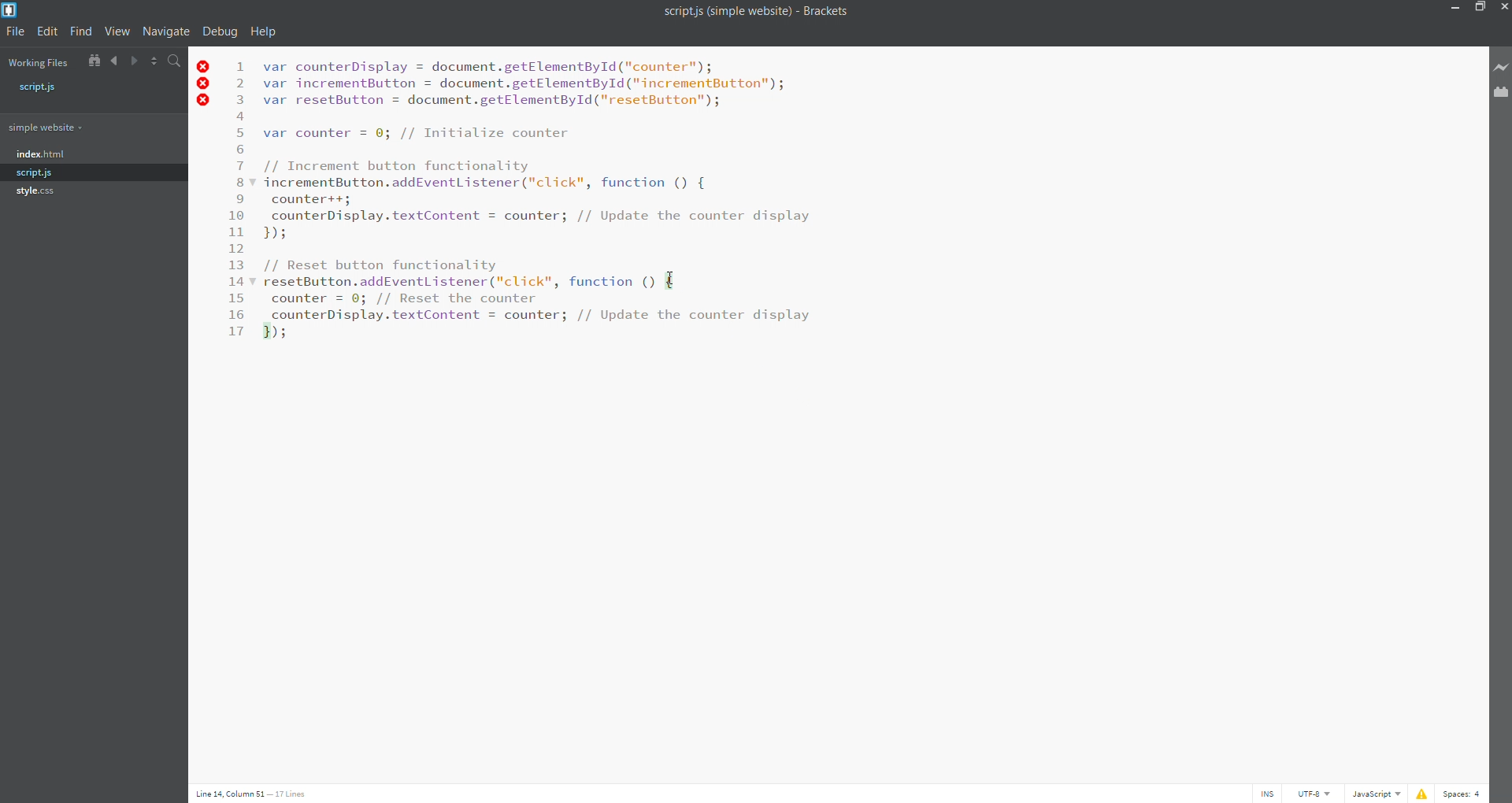  What do you see at coordinates (113, 59) in the screenshot?
I see `navigate backward` at bounding box center [113, 59].